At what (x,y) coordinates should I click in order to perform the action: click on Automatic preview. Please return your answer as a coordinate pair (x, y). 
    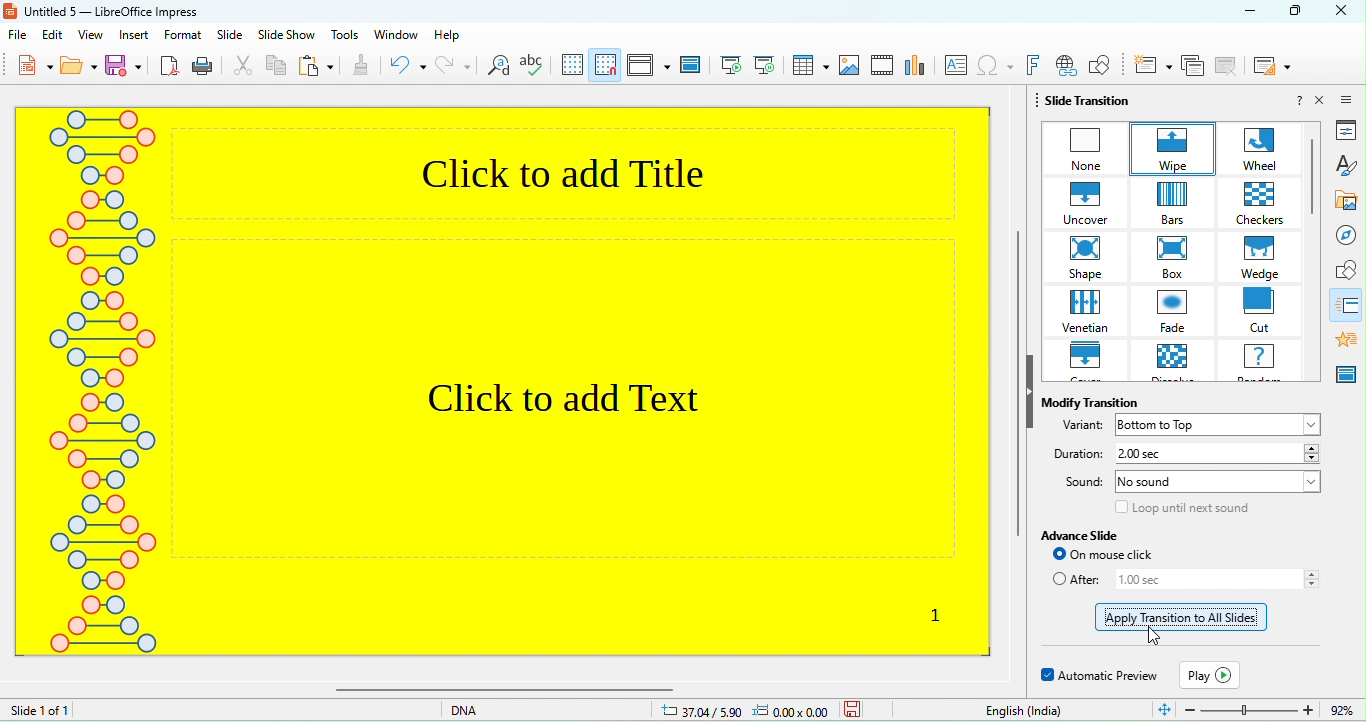
    Looking at the image, I should click on (1098, 674).